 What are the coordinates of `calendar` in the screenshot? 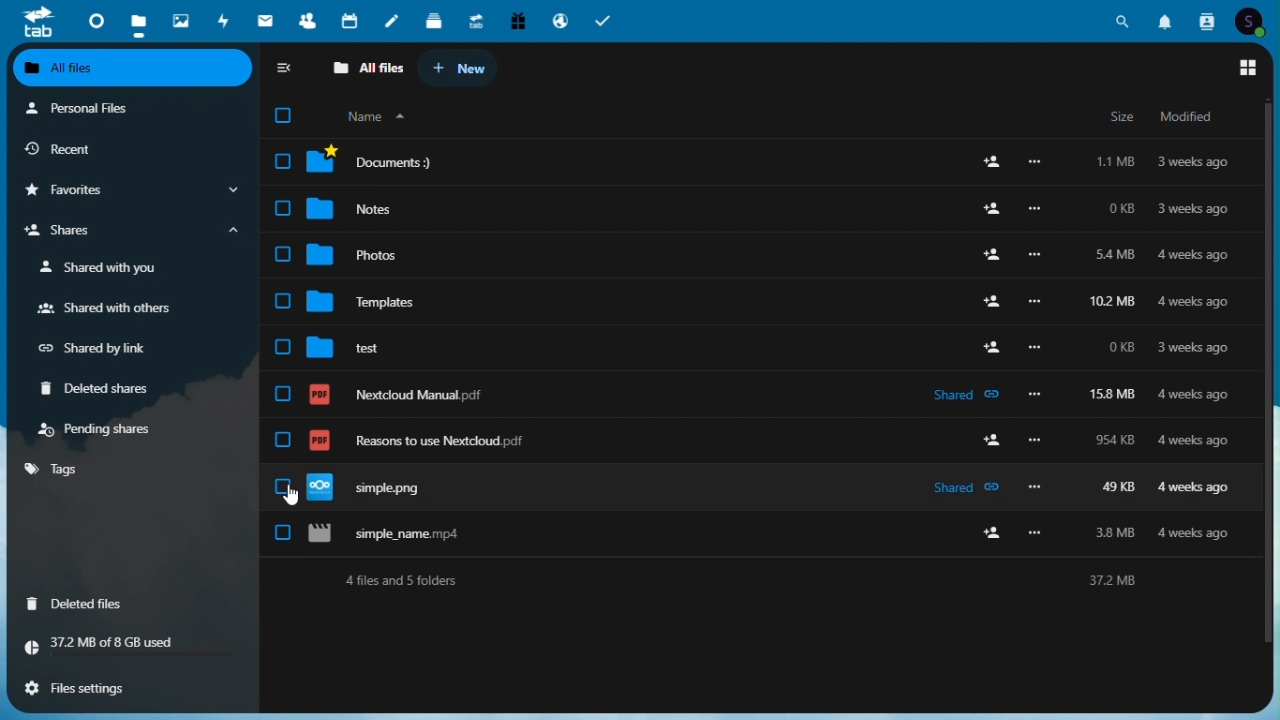 It's located at (352, 19).